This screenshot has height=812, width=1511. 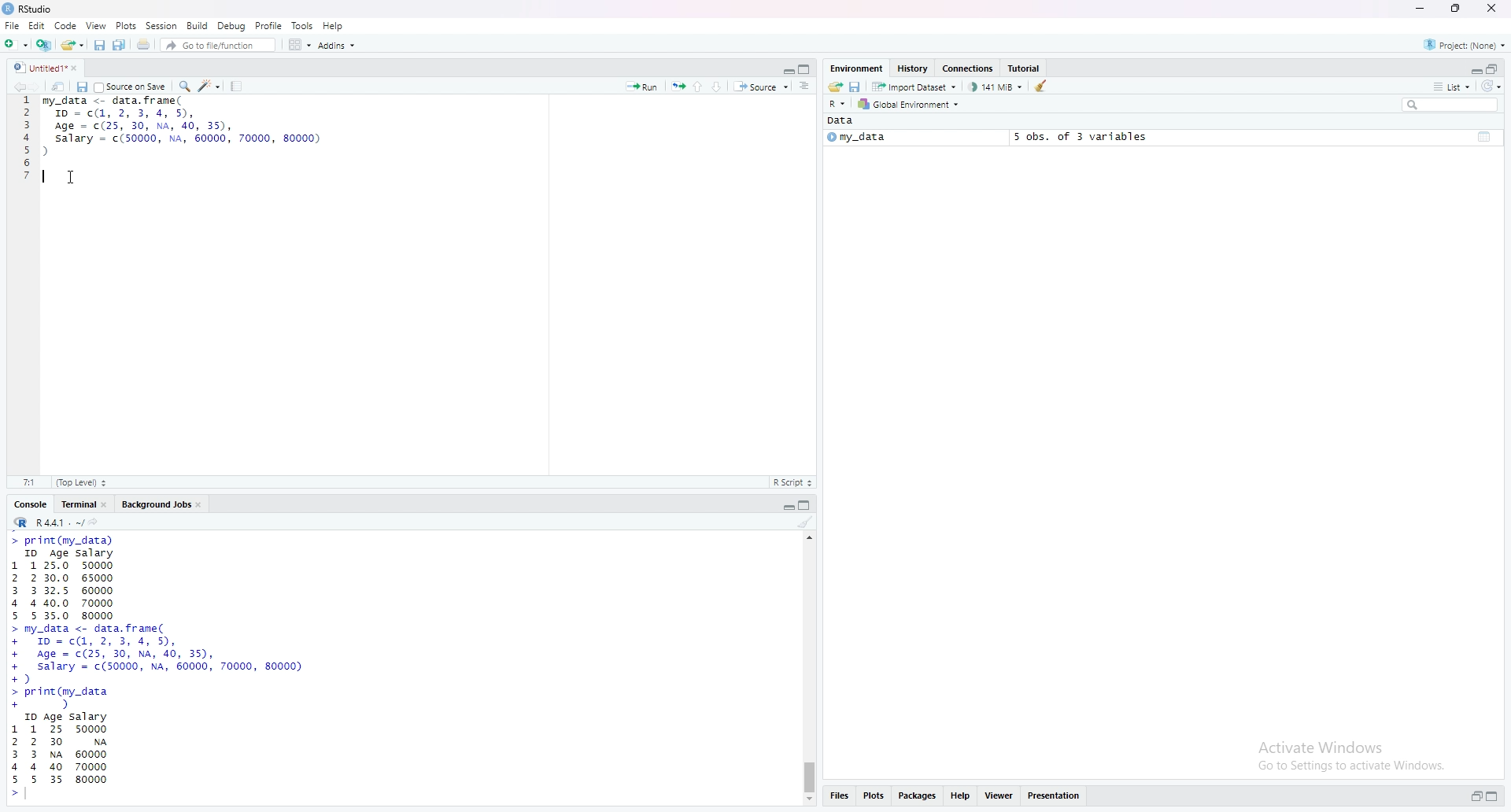 What do you see at coordinates (86, 504) in the screenshot?
I see `Terminal` at bounding box center [86, 504].